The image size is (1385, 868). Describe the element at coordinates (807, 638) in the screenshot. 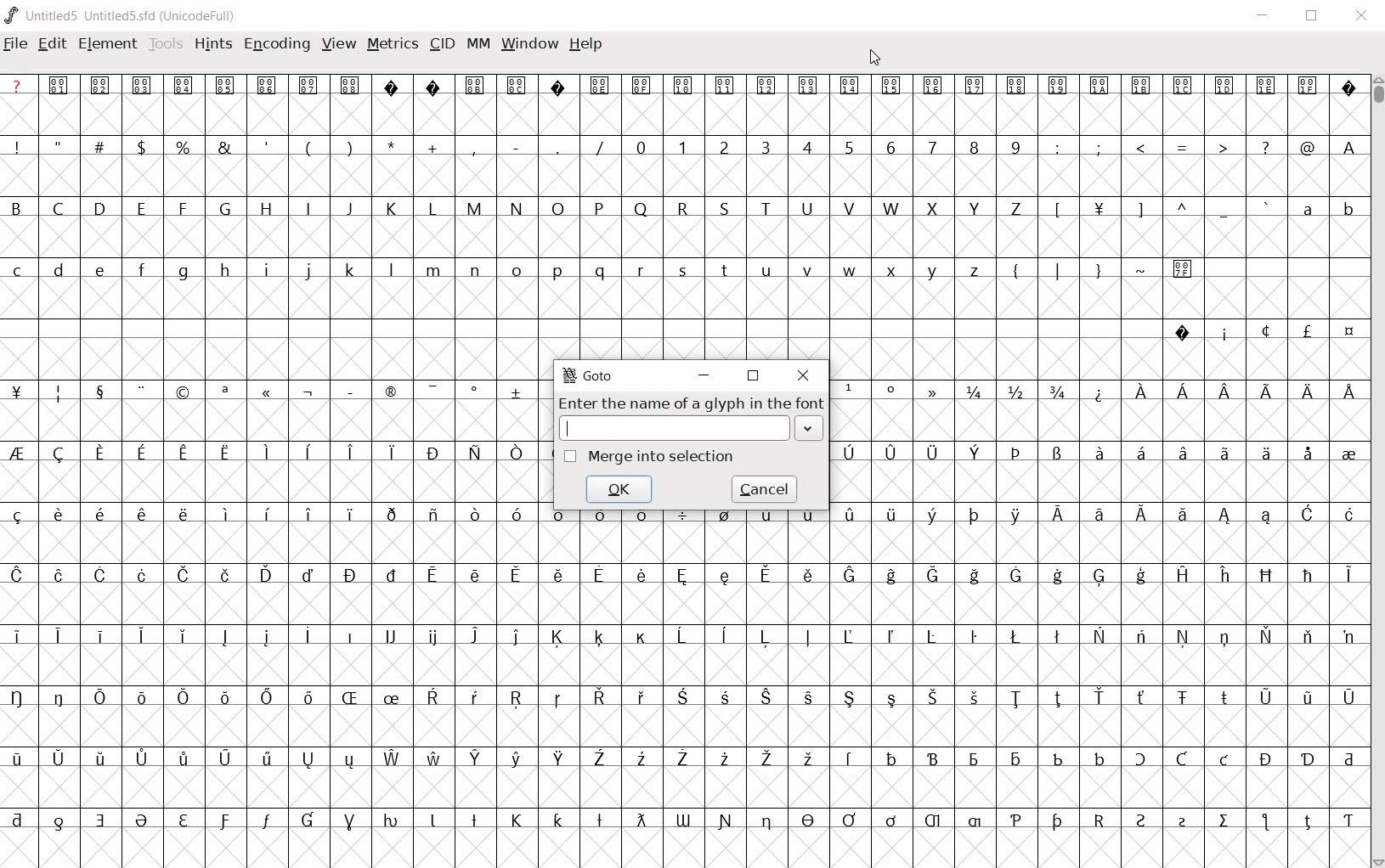

I see `Symbol` at that location.